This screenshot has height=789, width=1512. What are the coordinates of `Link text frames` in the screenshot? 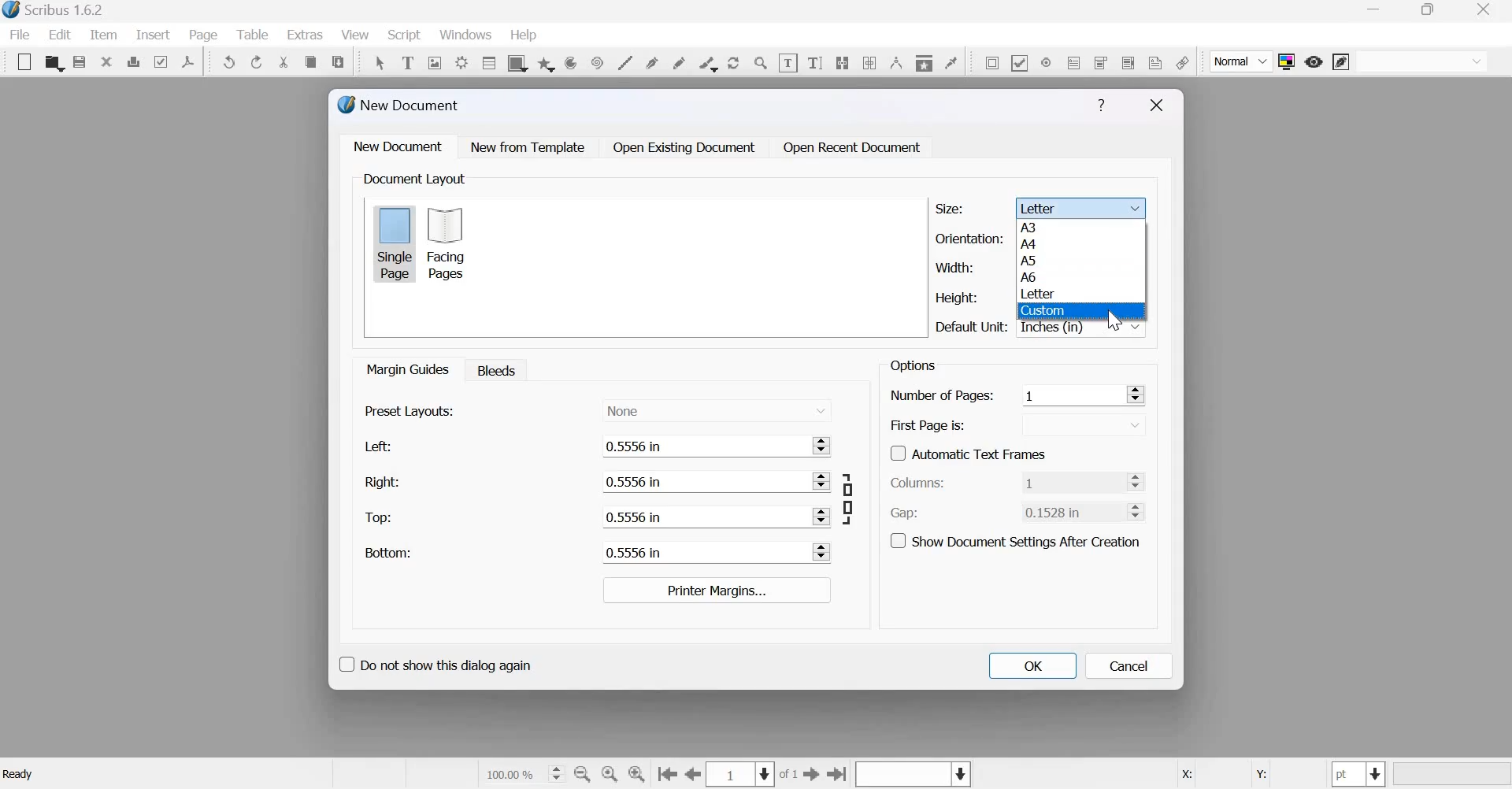 It's located at (842, 61).